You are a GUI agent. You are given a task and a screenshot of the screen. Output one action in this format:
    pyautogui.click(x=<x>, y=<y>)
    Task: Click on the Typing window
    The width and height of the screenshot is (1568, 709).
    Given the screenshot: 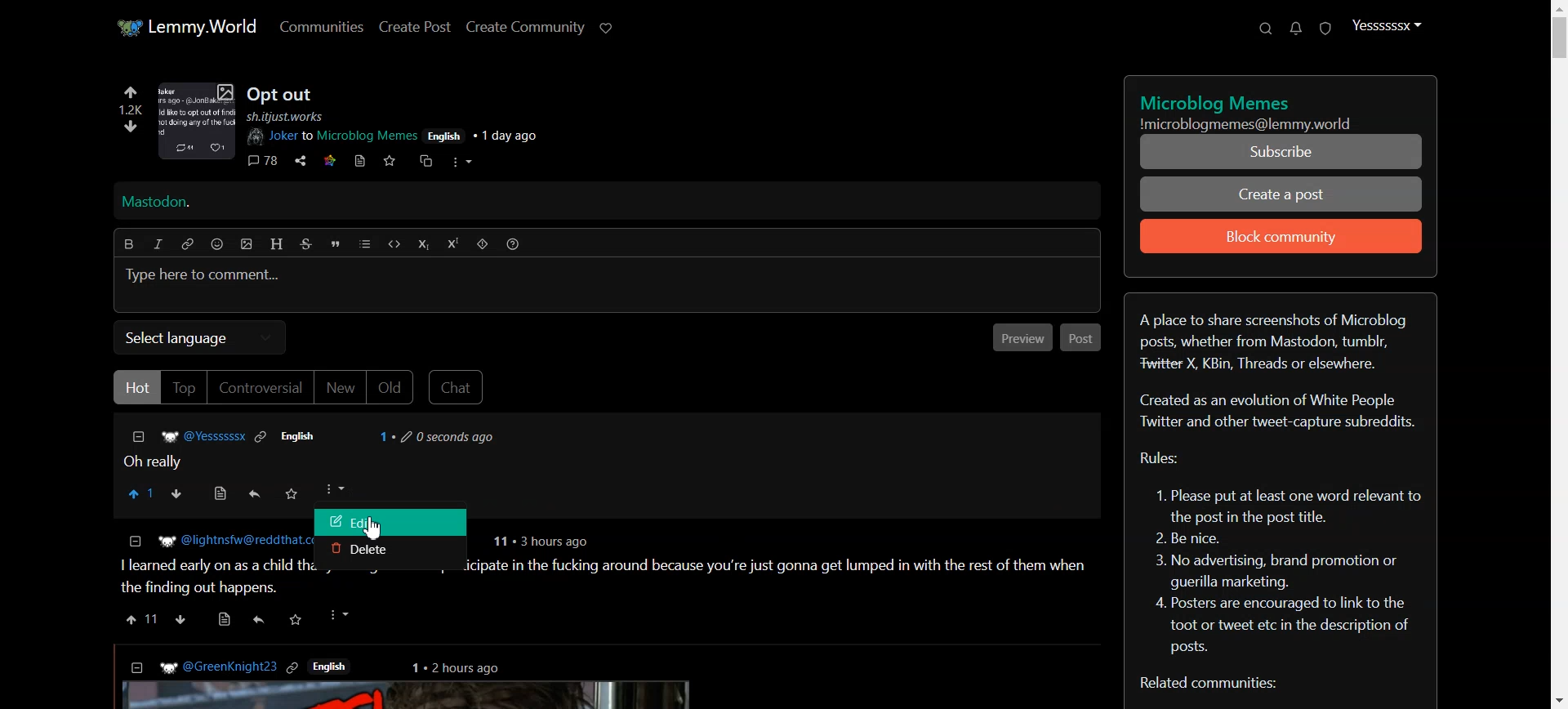 What is the action you would take?
    pyautogui.click(x=606, y=286)
    